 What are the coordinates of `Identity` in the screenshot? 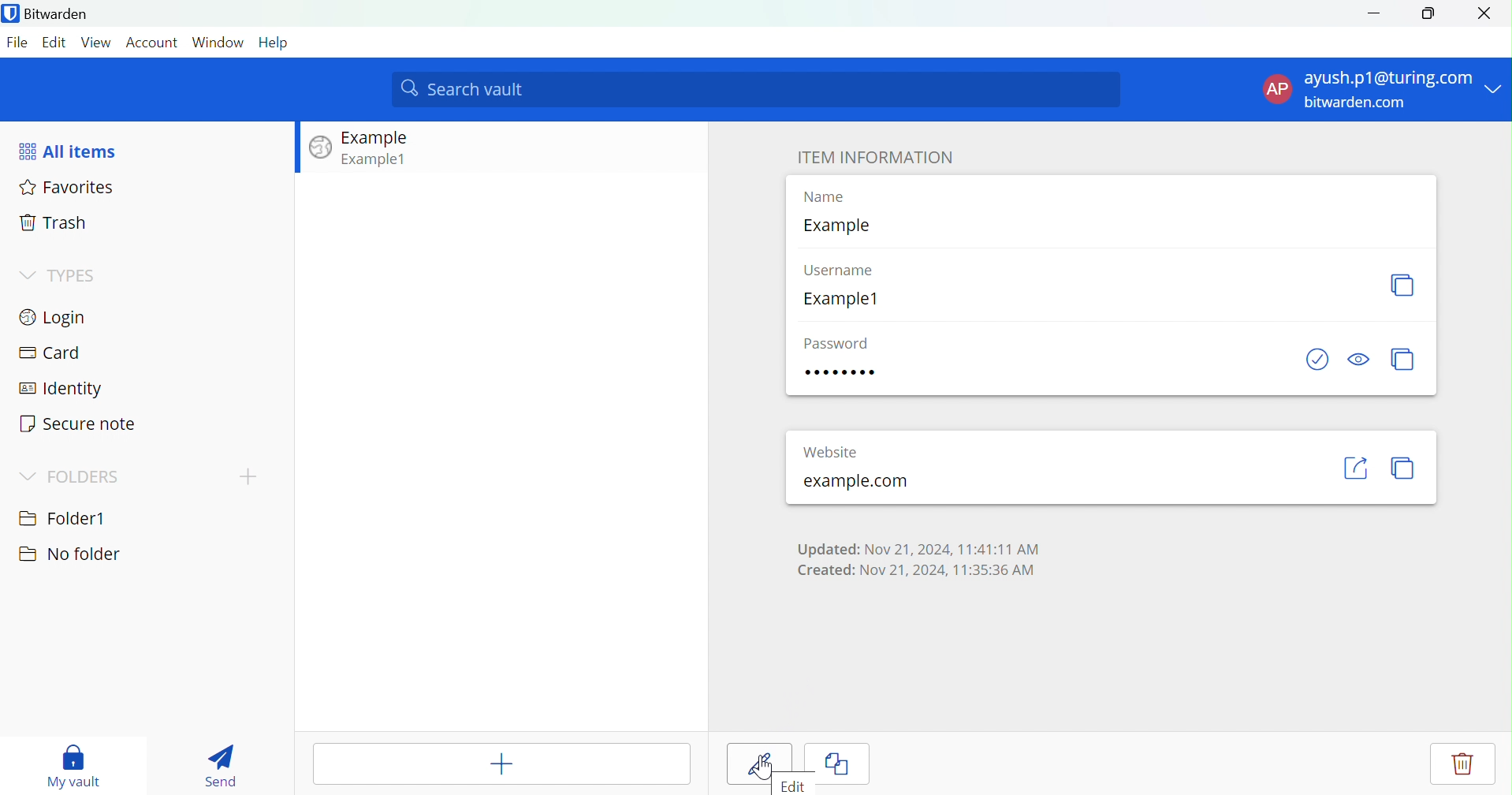 It's located at (62, 390).